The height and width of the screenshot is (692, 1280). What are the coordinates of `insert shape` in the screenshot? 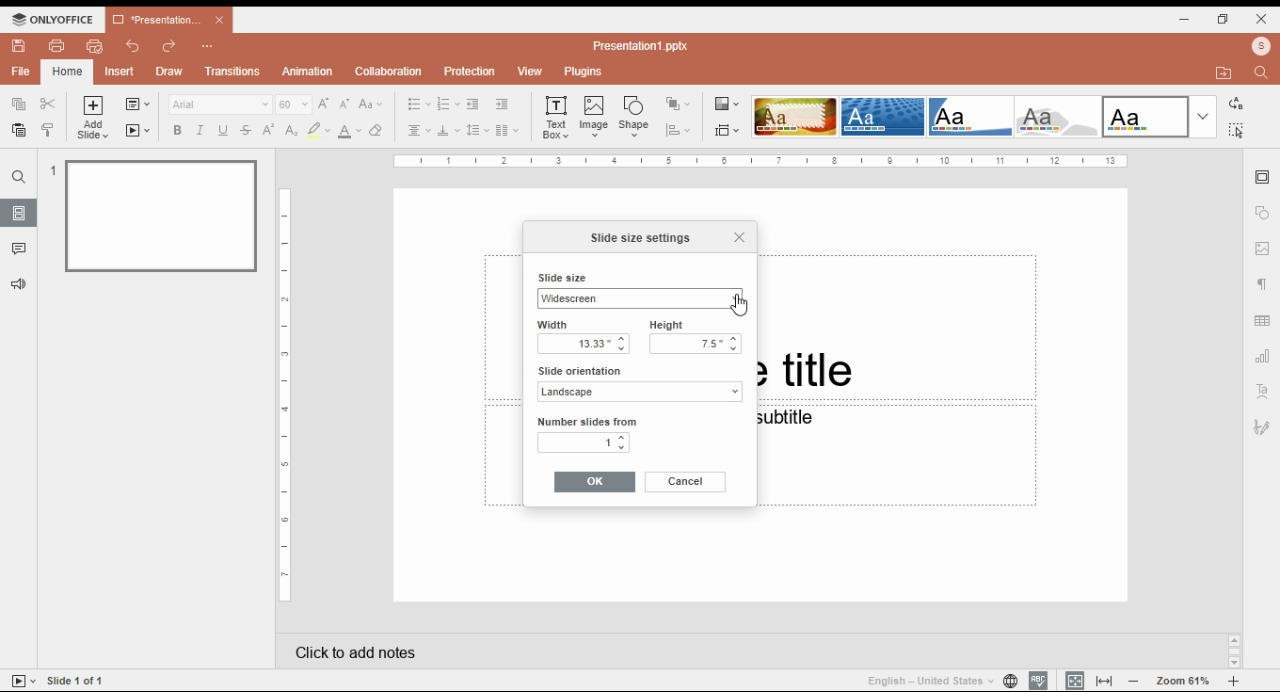 It's located at (635, 116).